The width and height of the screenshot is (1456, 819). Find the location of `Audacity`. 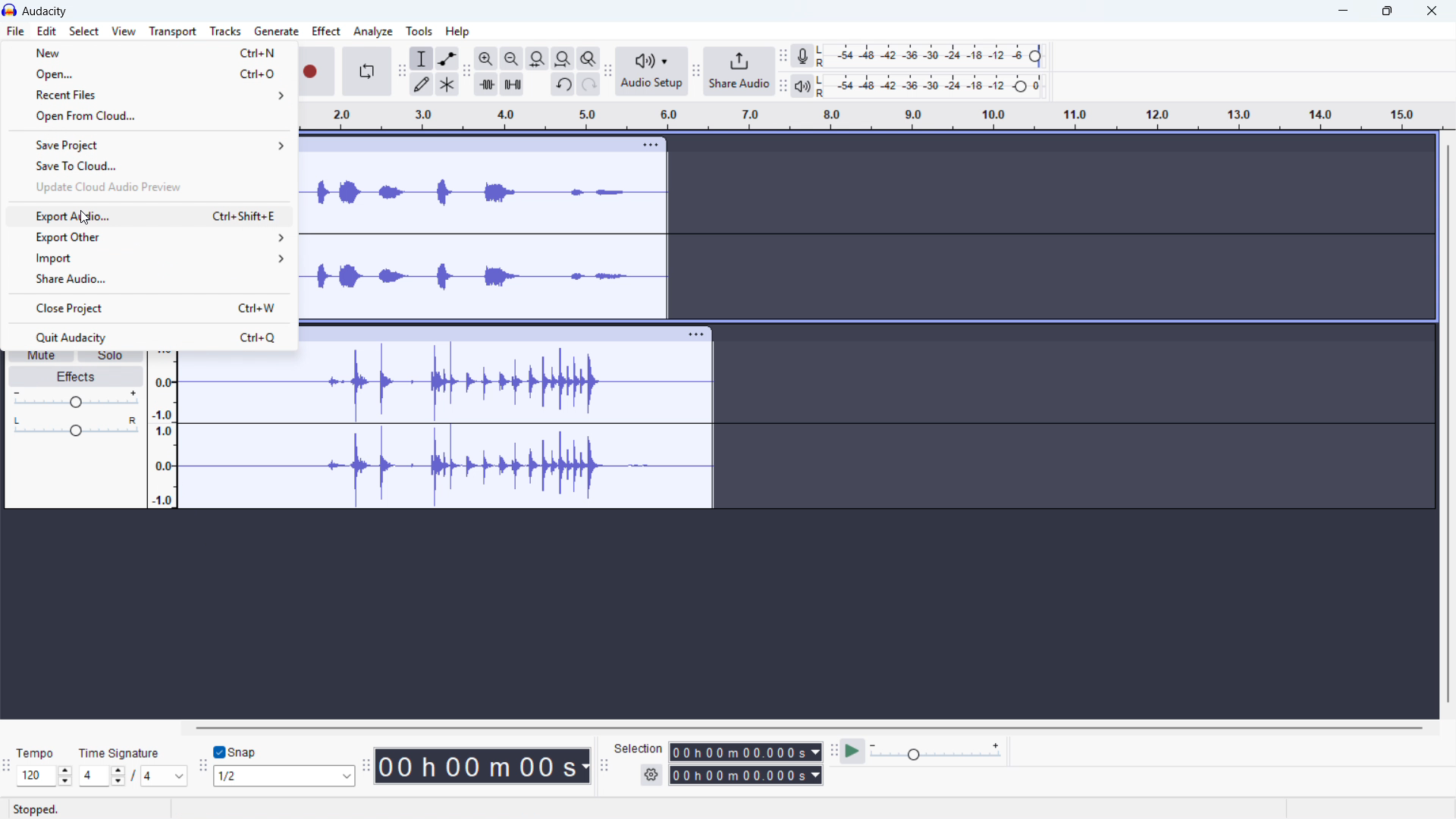

Audacity is located at coordinates (46, 11).